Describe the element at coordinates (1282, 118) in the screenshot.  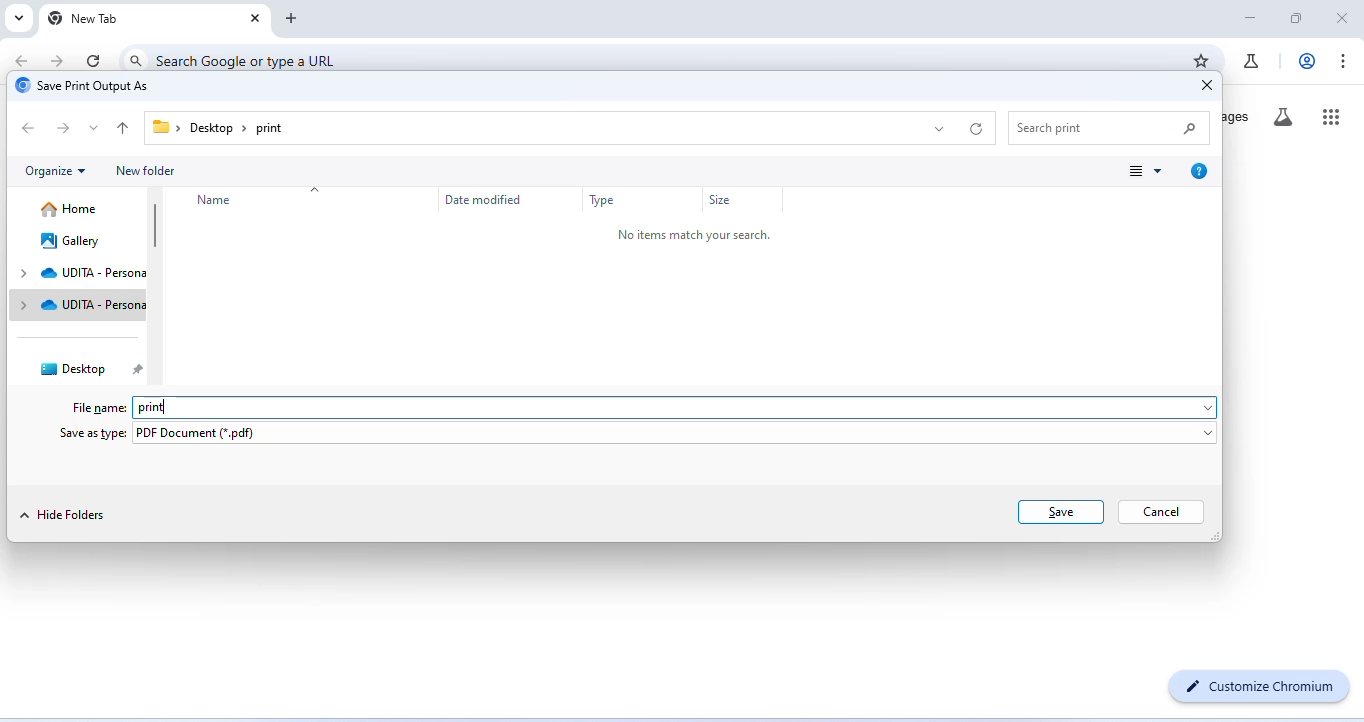
I see `search labs` at that location.